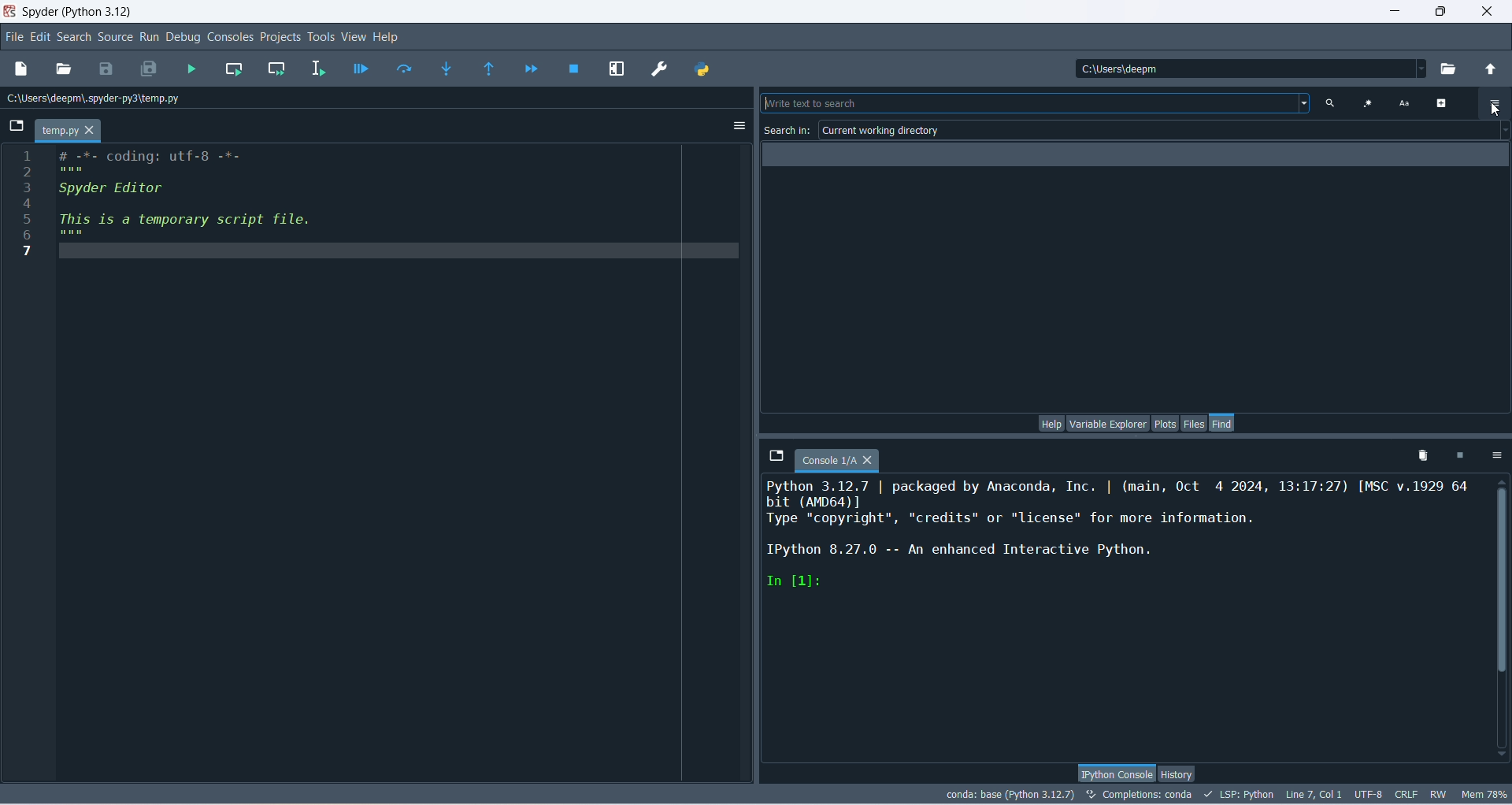 The width and height of the screenshot is (1512, 805). Describe the element at coordinates (77, 10) in the screenshot. I see `title bar` at that location.